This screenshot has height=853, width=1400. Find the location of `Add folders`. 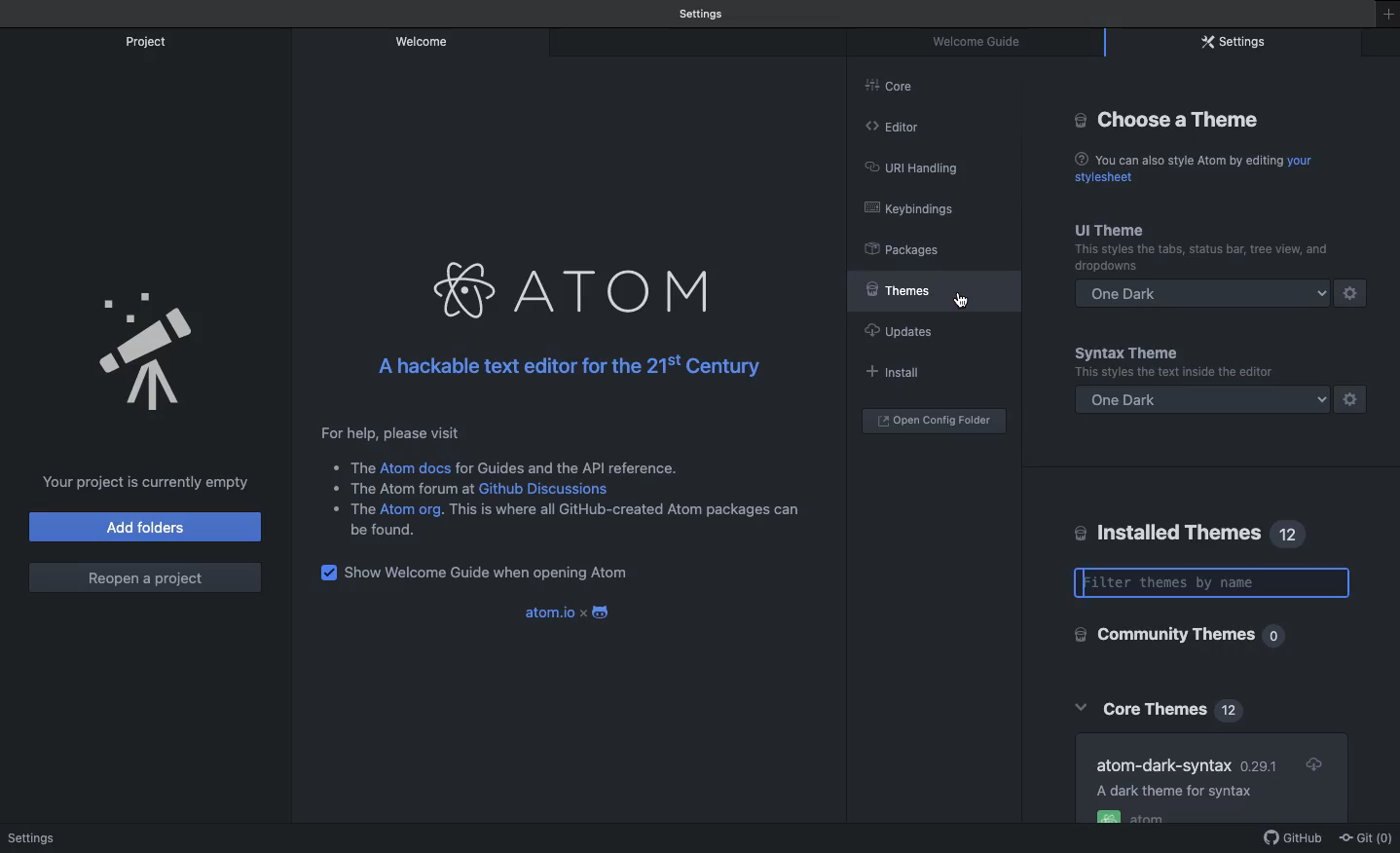

Add folders is located at coordinates (145, 527).